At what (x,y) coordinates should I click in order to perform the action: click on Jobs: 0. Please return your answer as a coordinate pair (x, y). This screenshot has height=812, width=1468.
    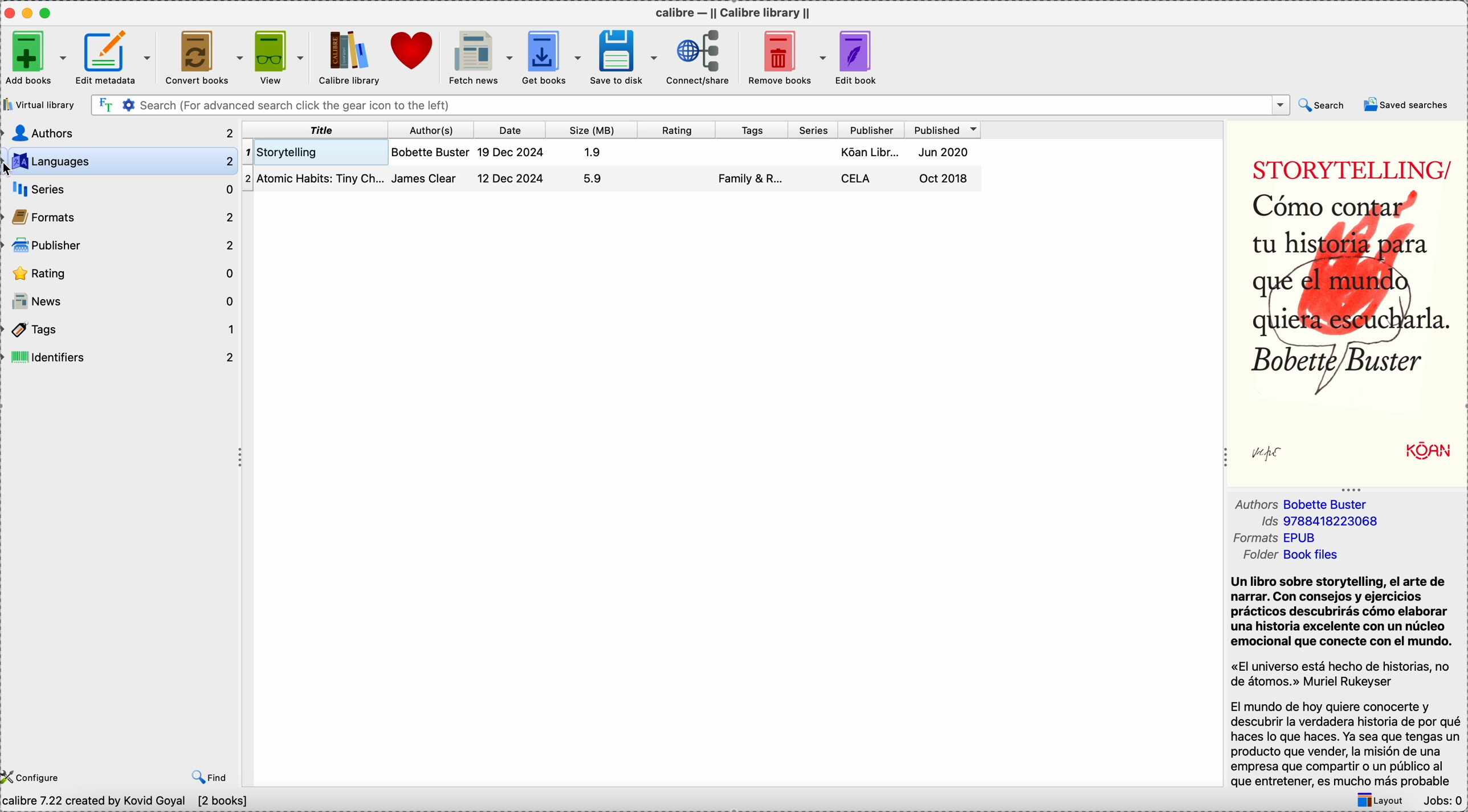
    Looking at the image, I should click on (1442, 802).